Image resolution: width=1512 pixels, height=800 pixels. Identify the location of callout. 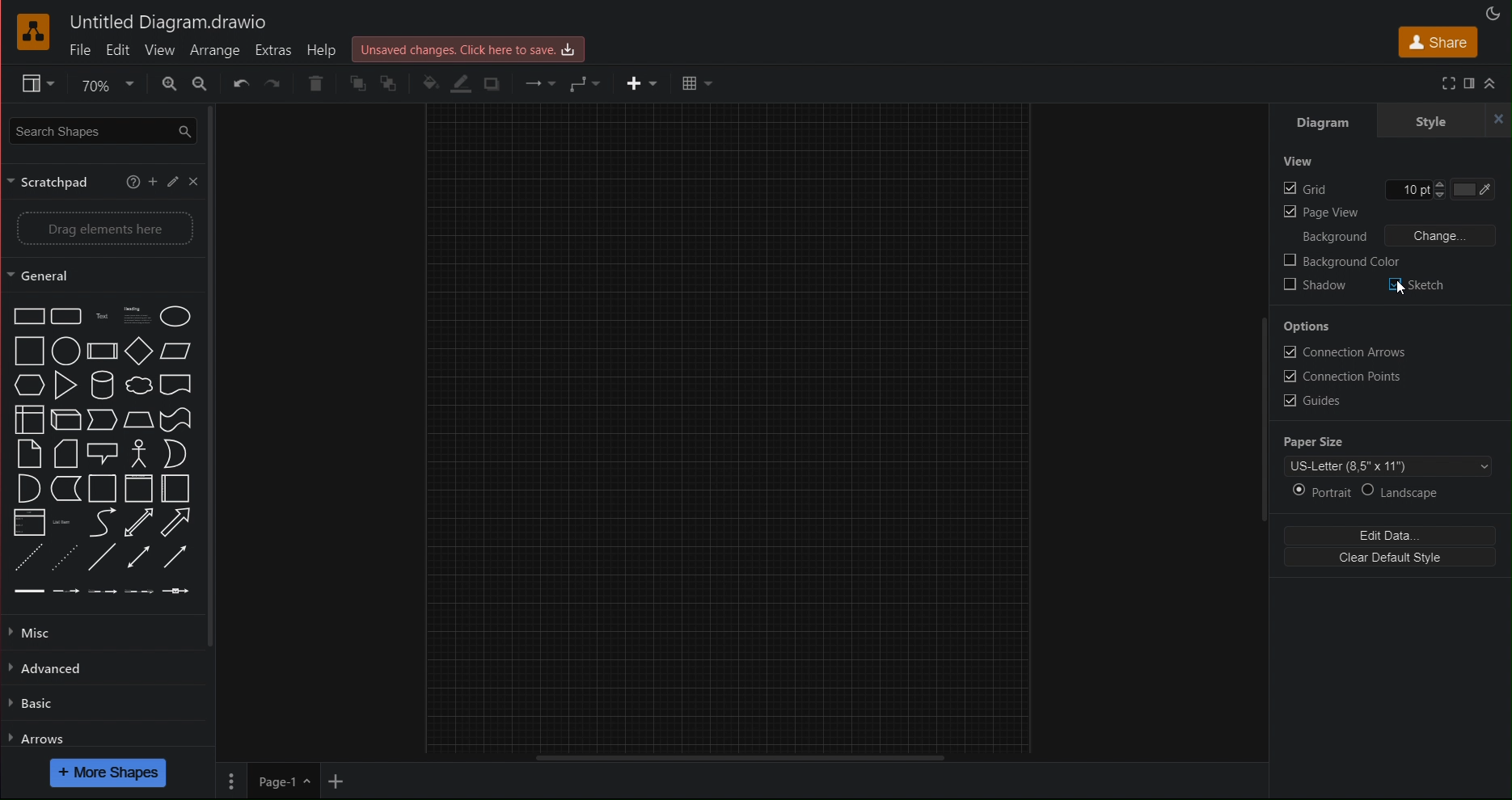
(102, 453).